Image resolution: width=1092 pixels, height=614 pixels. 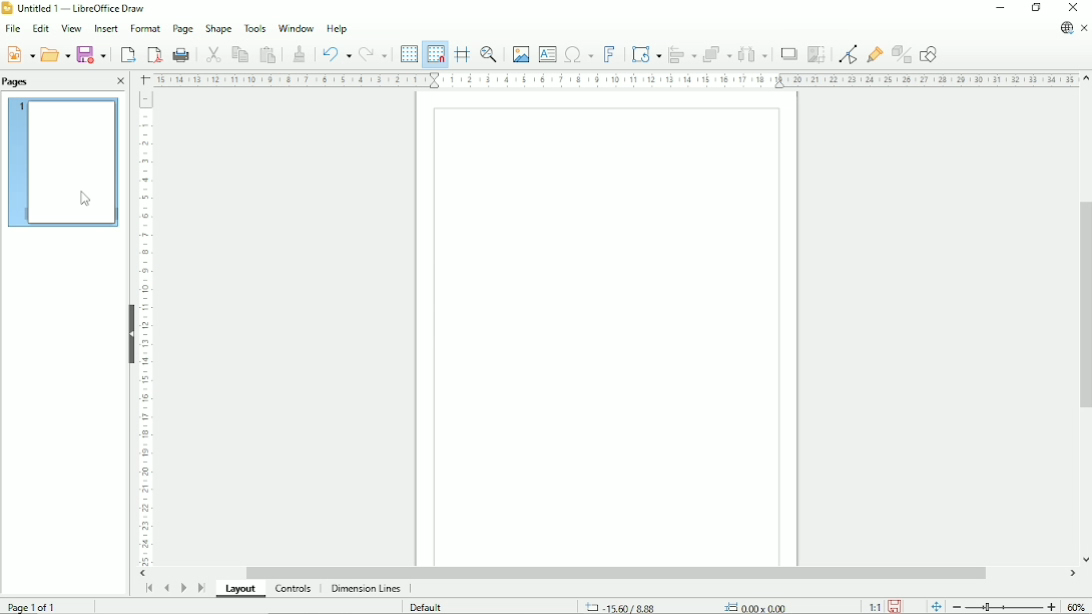 I want to click on Zoom & pan, so click(x=490, y=54).